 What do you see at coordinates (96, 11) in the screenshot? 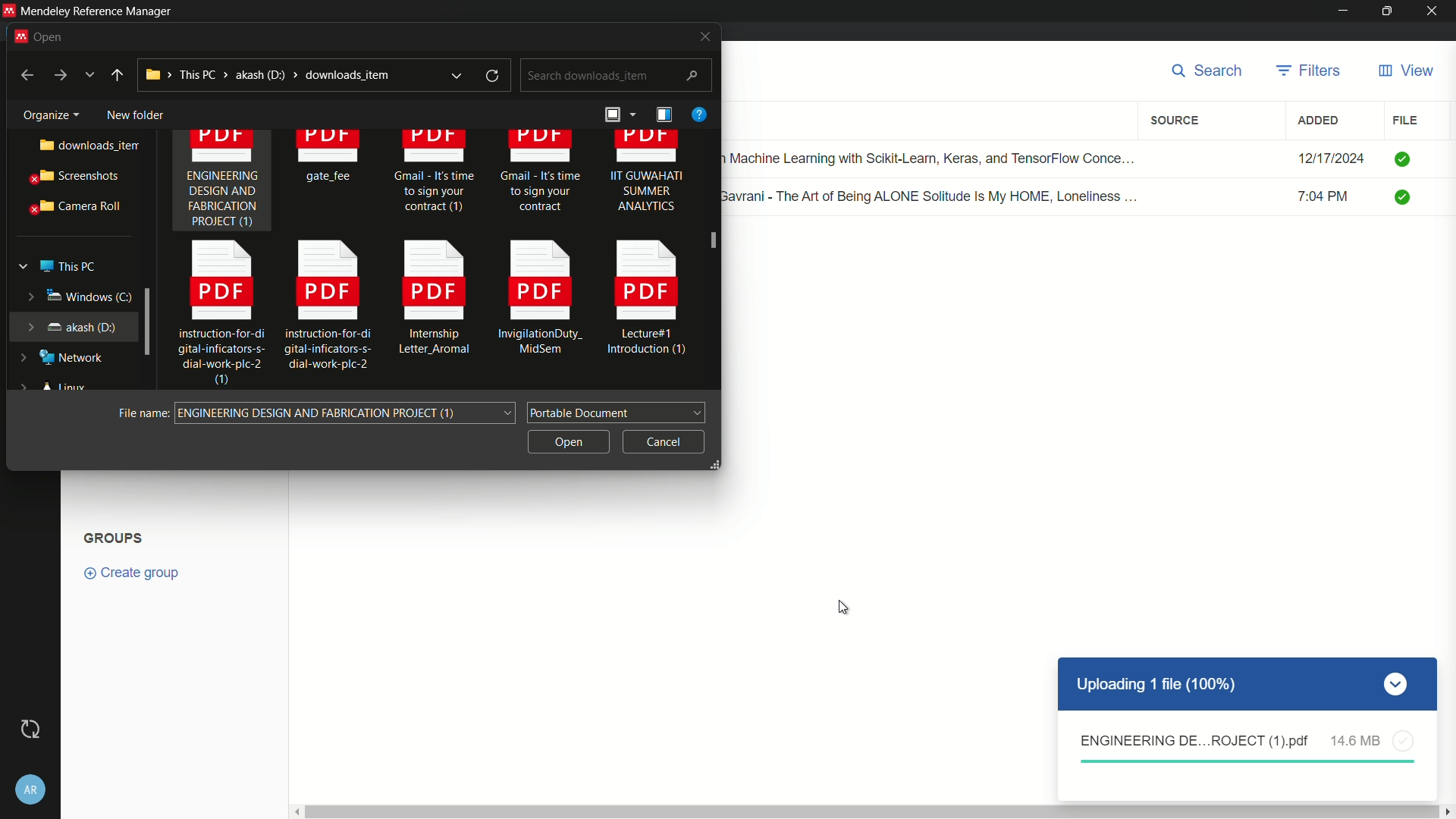
I see `Mendeley Reference Manager` at bounding box center [96, 11].